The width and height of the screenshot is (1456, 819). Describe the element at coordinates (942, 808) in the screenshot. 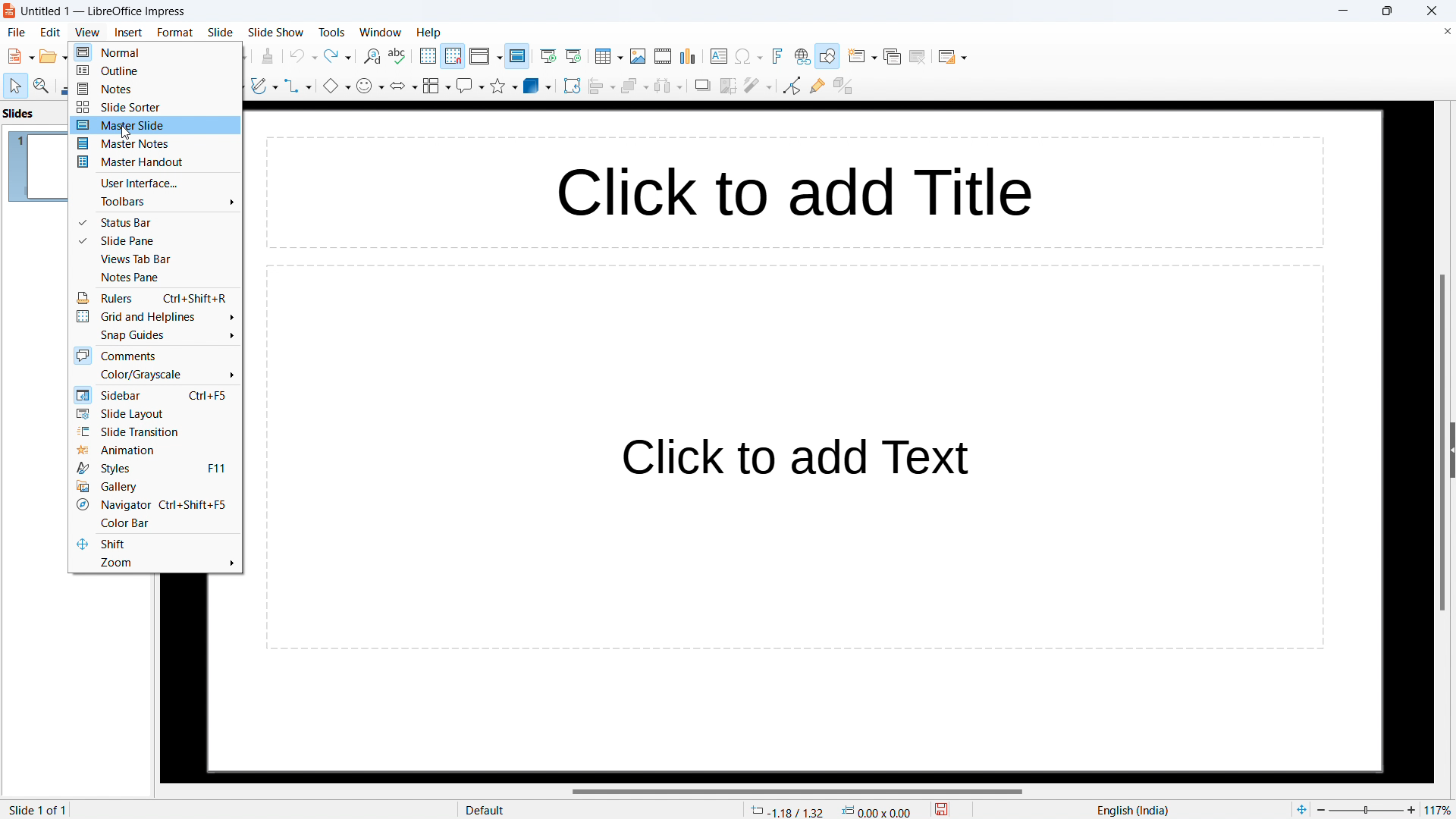

I see `save` at that location.